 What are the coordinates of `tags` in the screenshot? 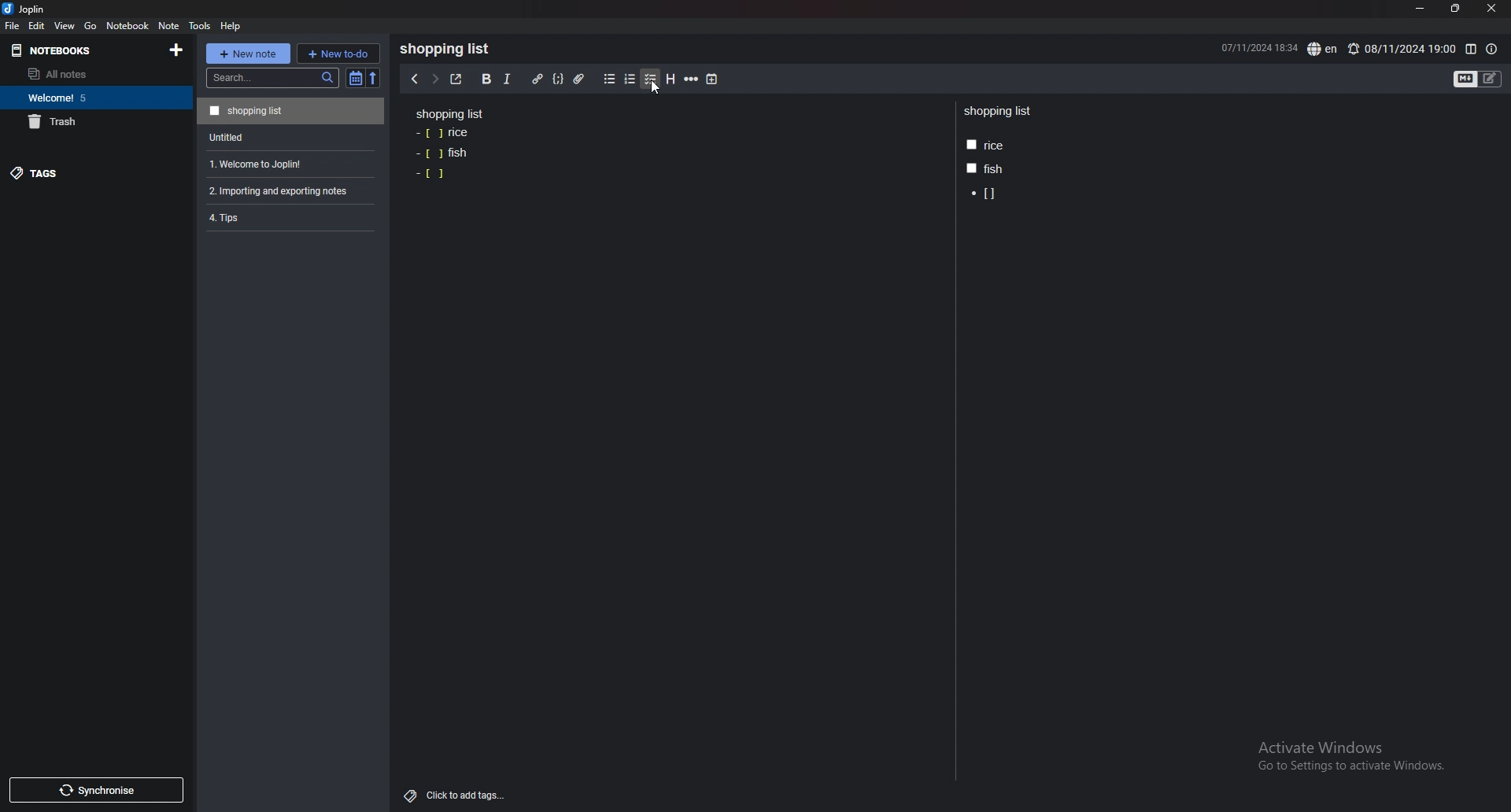 It's located at (84, 172).